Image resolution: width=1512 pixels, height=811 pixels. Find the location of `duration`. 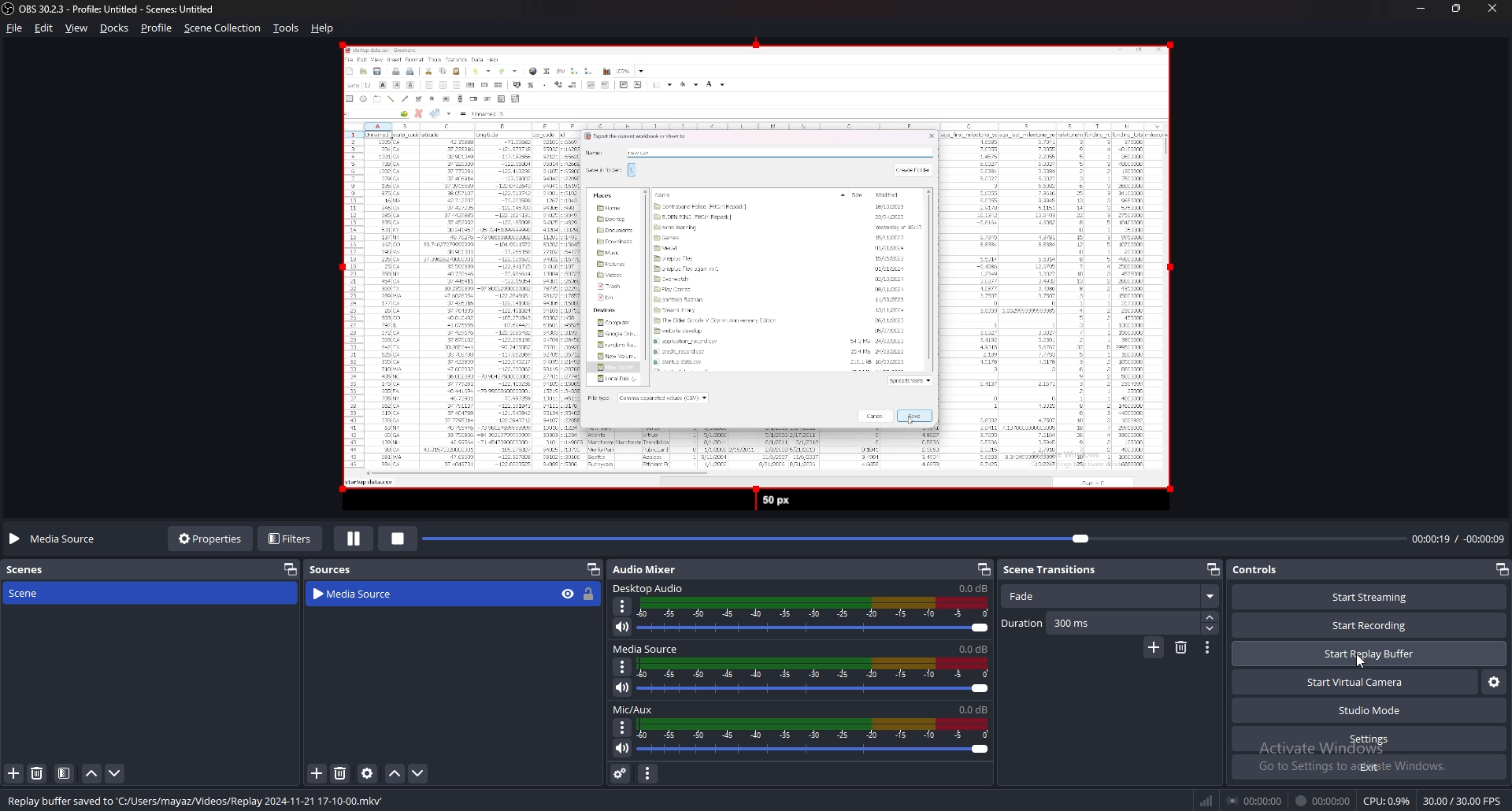

duration is located at coordinates (1100, 623).